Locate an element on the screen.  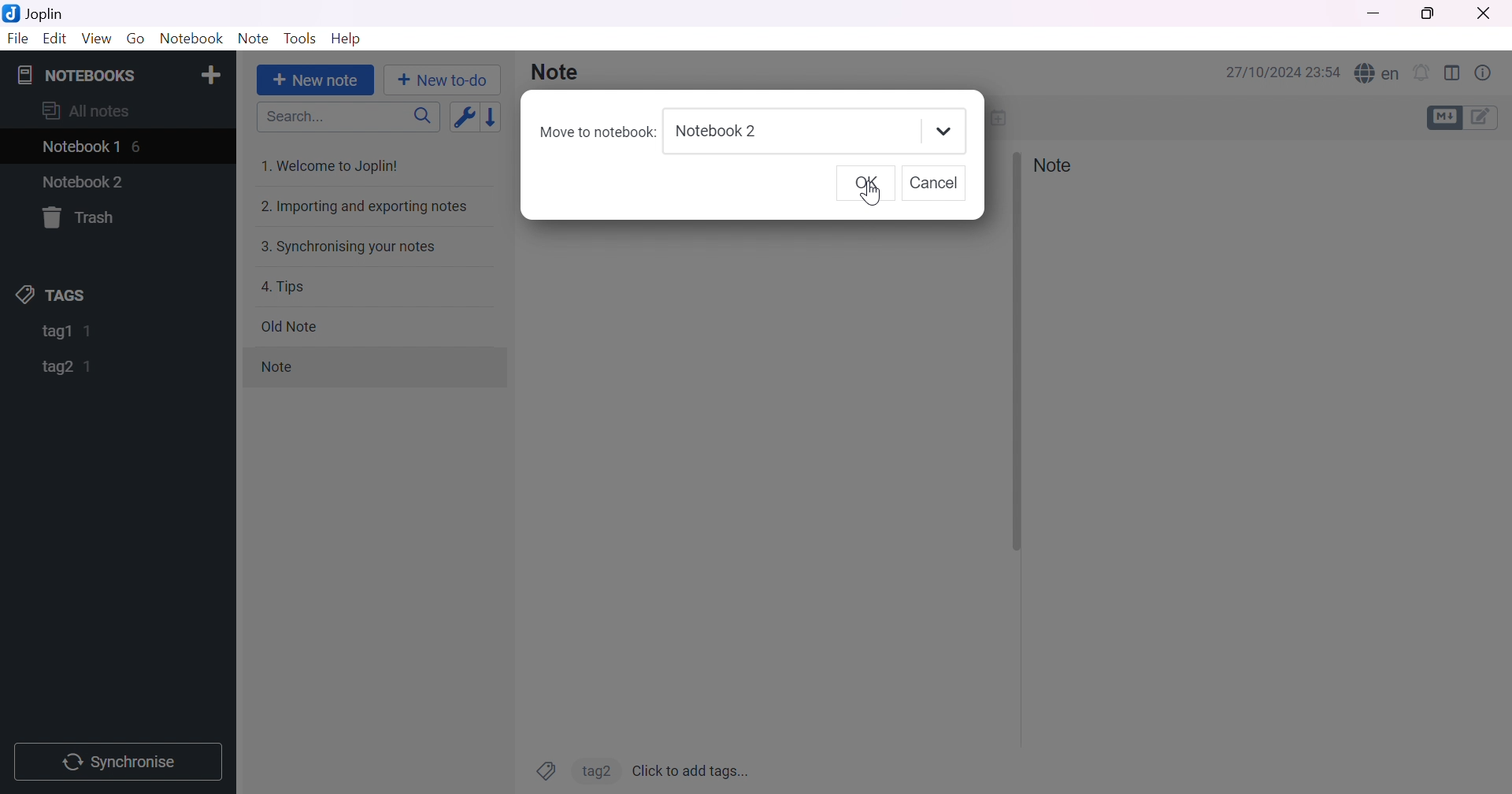
 is located at coordinates (1015, 351).